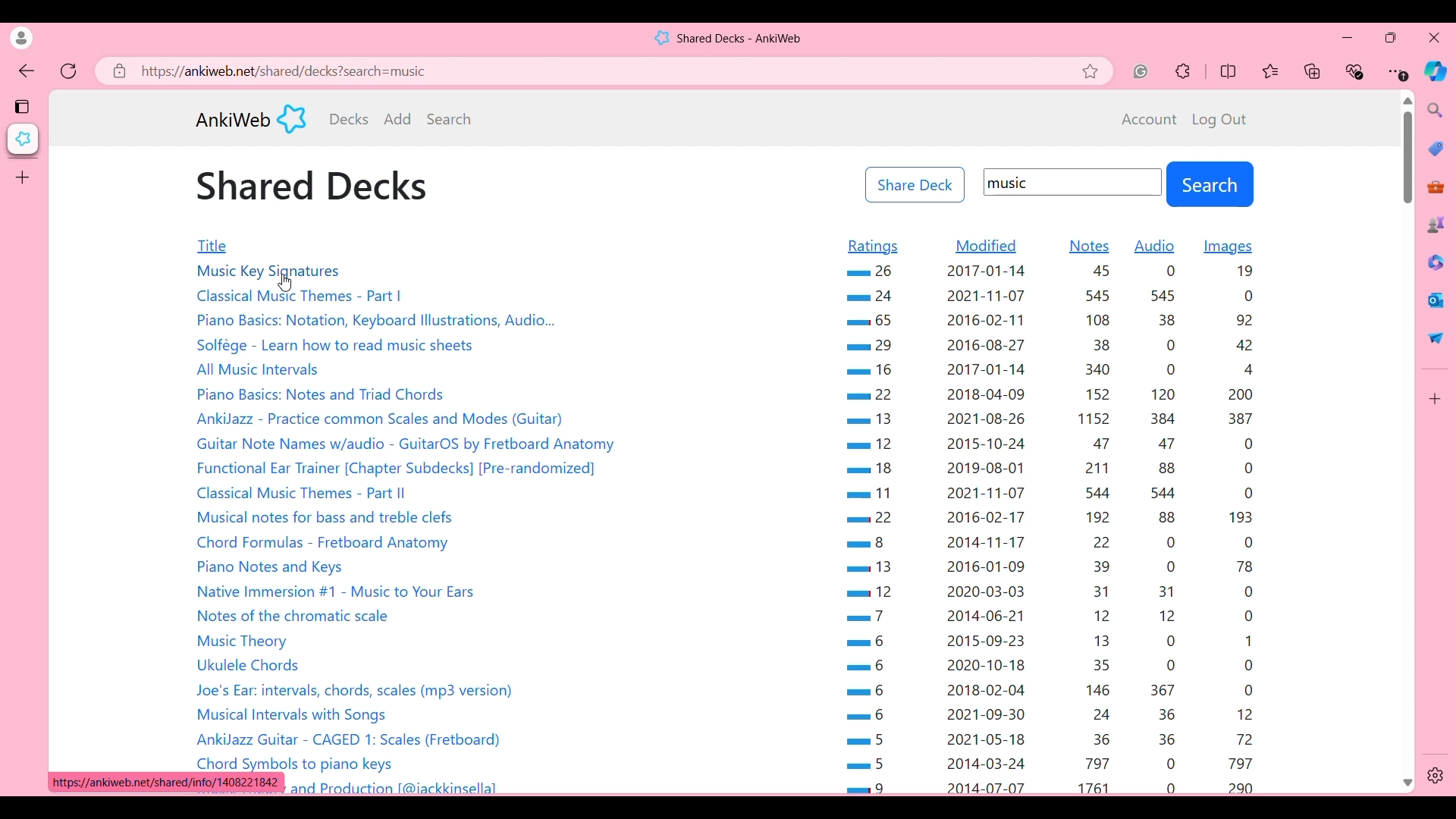  What do you see at coordinates (233, 120) in the screenshot?
I see `AnkiWeb` at bounding box center [233, 120].